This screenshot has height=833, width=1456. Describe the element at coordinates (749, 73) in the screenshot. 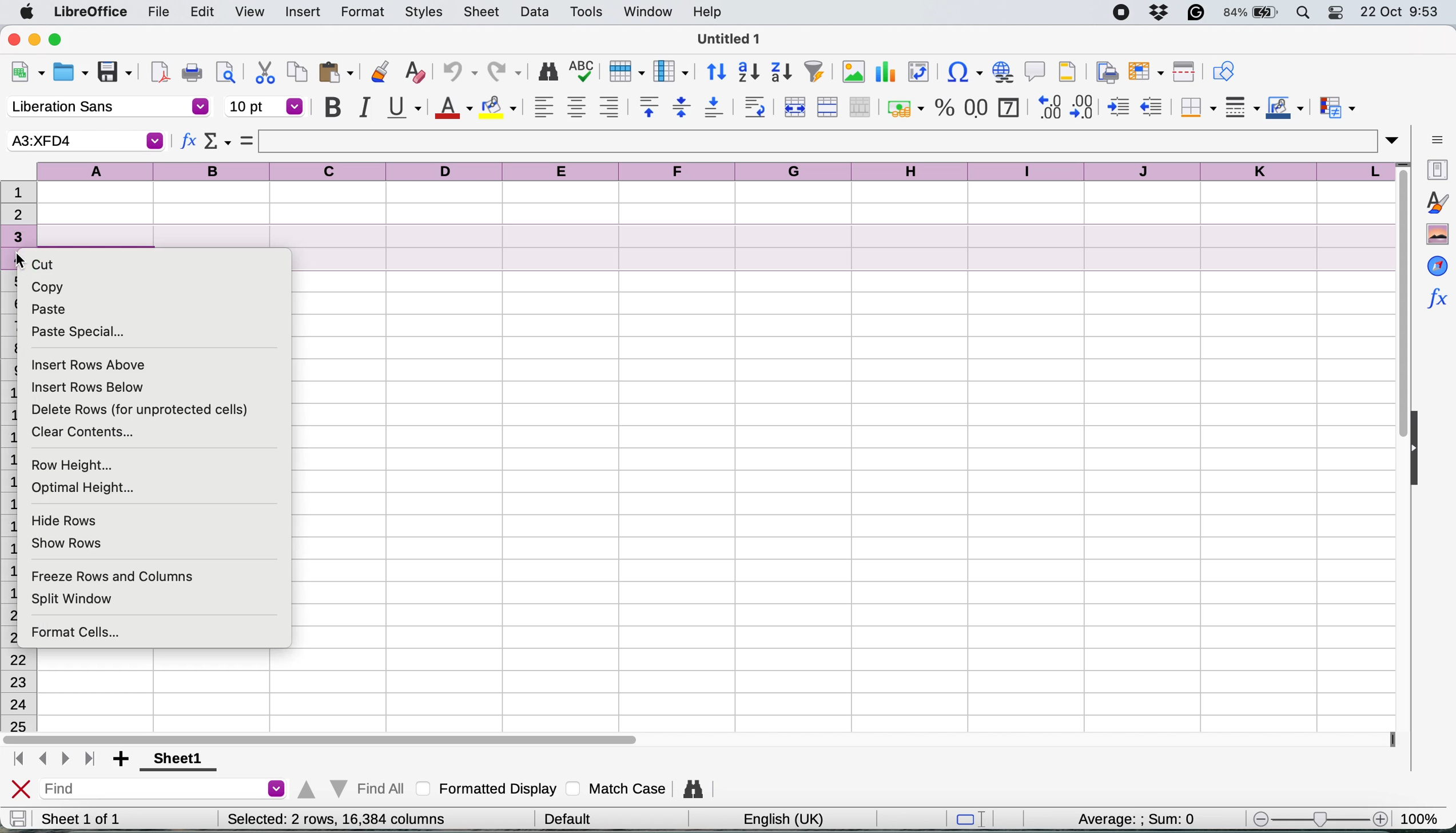

I see `sort ascending` at that location.